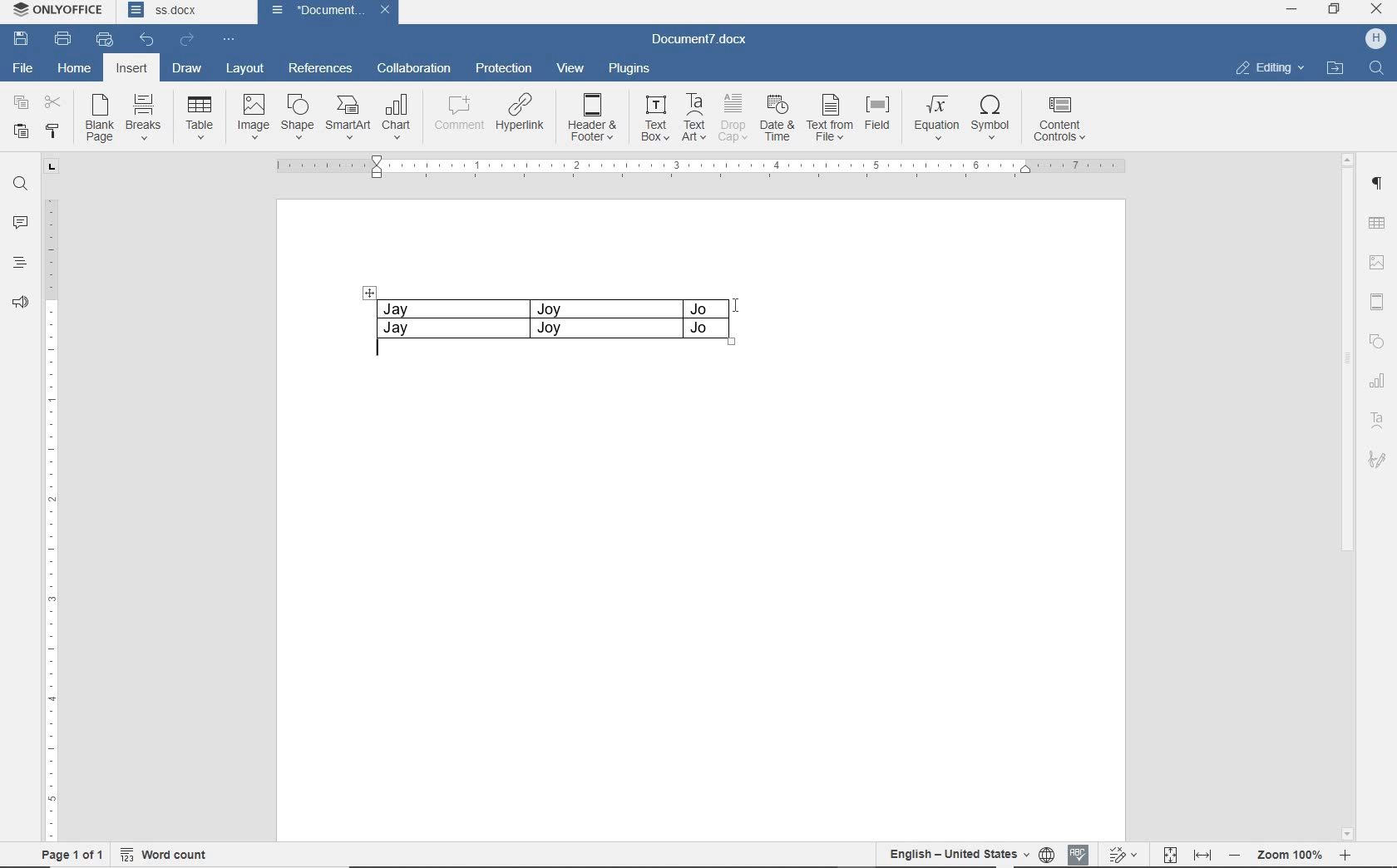 The image size is (1397, 868). What do you see at coordinates (1126, 854) in the screenshot?
I see `TRACK CHANGES` at bounding box center [1126, 854].